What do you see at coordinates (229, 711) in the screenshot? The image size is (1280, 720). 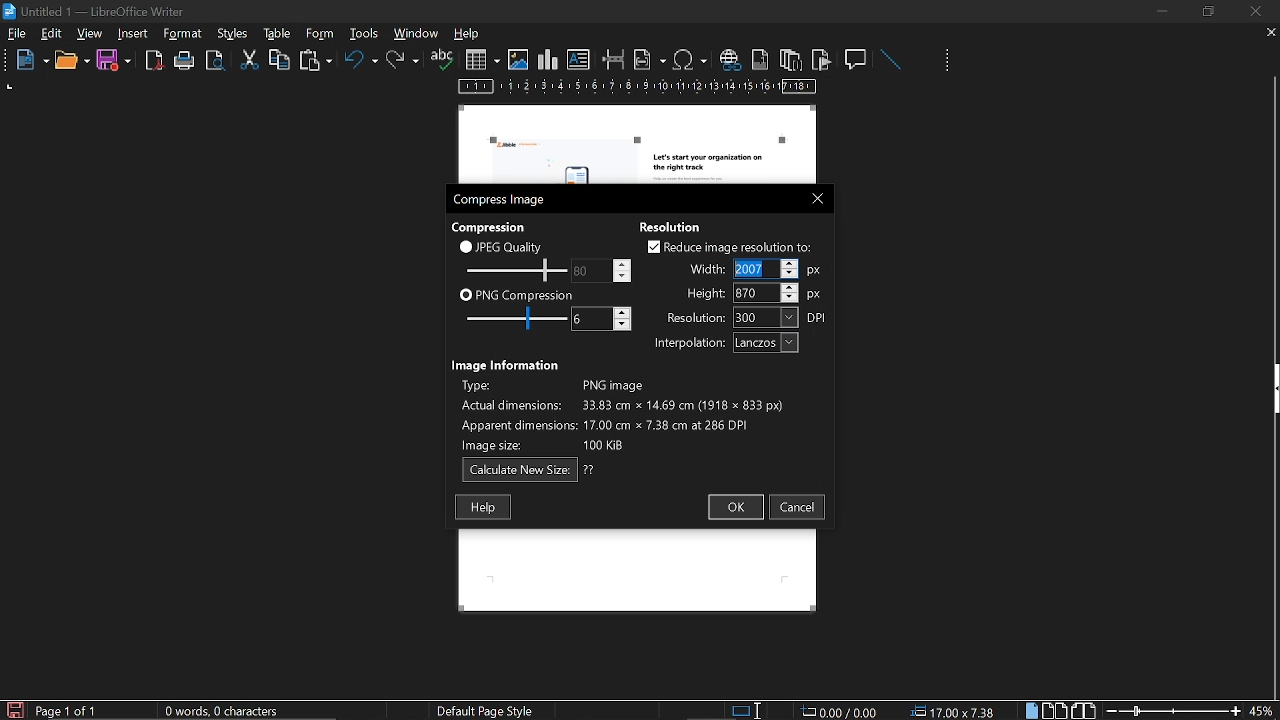 I see `word count` at bounding box center [229, 711].